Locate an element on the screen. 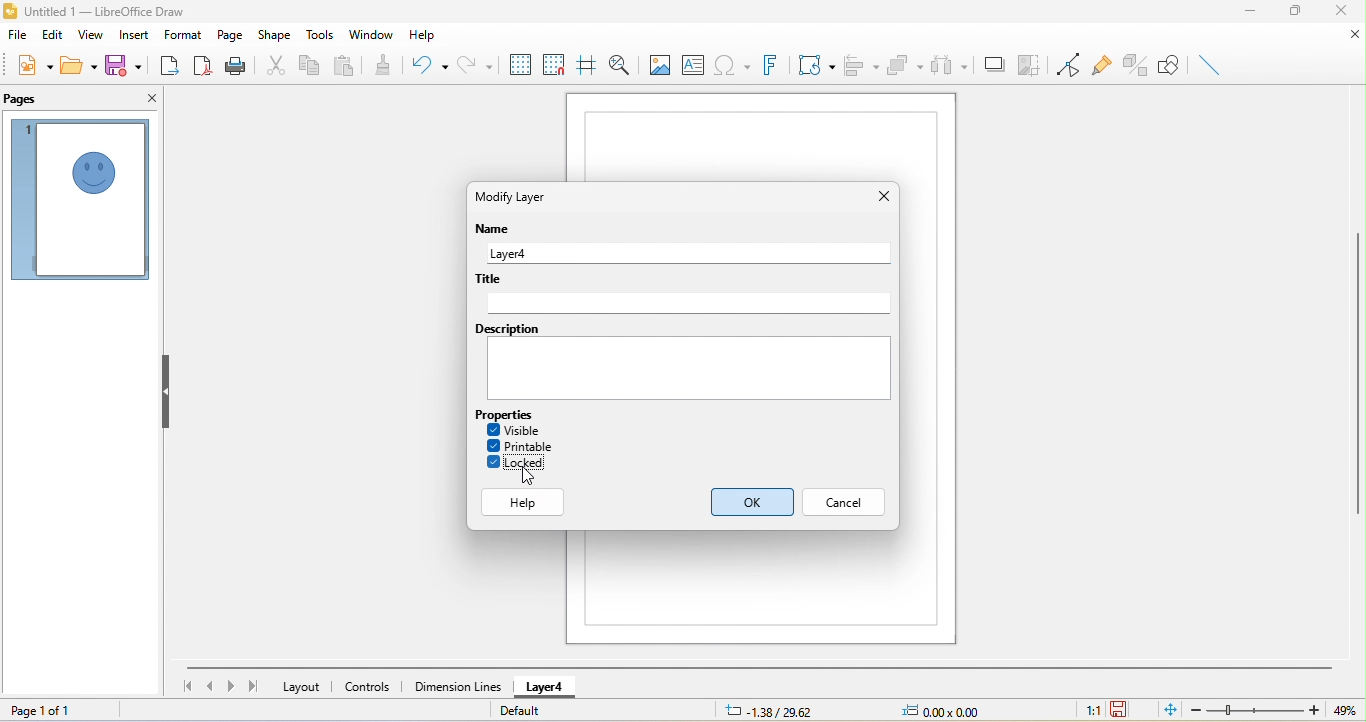 This screenshot has height=722, width=1366. print is located at coordinates (236, 65).